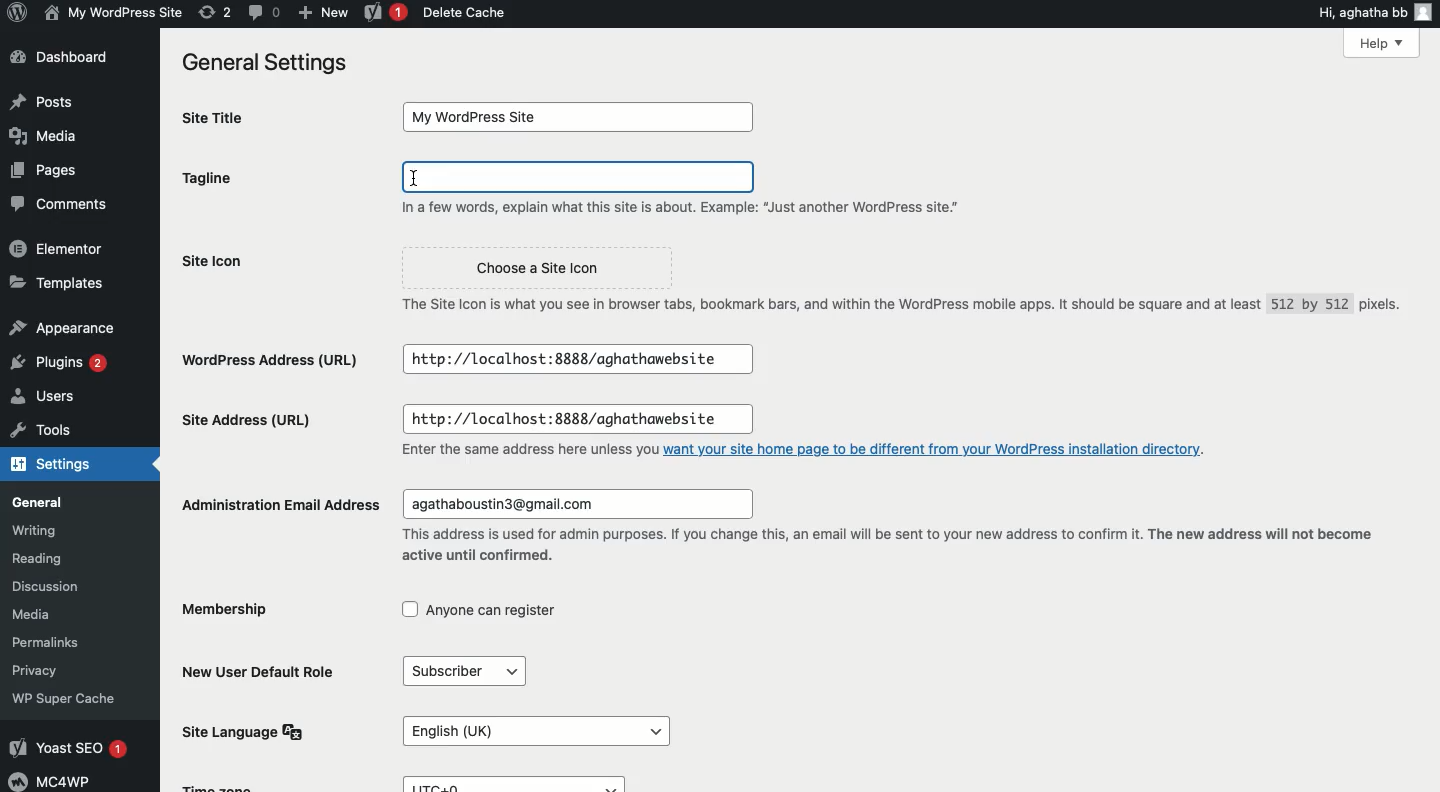  I want to click on Choose a Site Icon, so click(543, 264).